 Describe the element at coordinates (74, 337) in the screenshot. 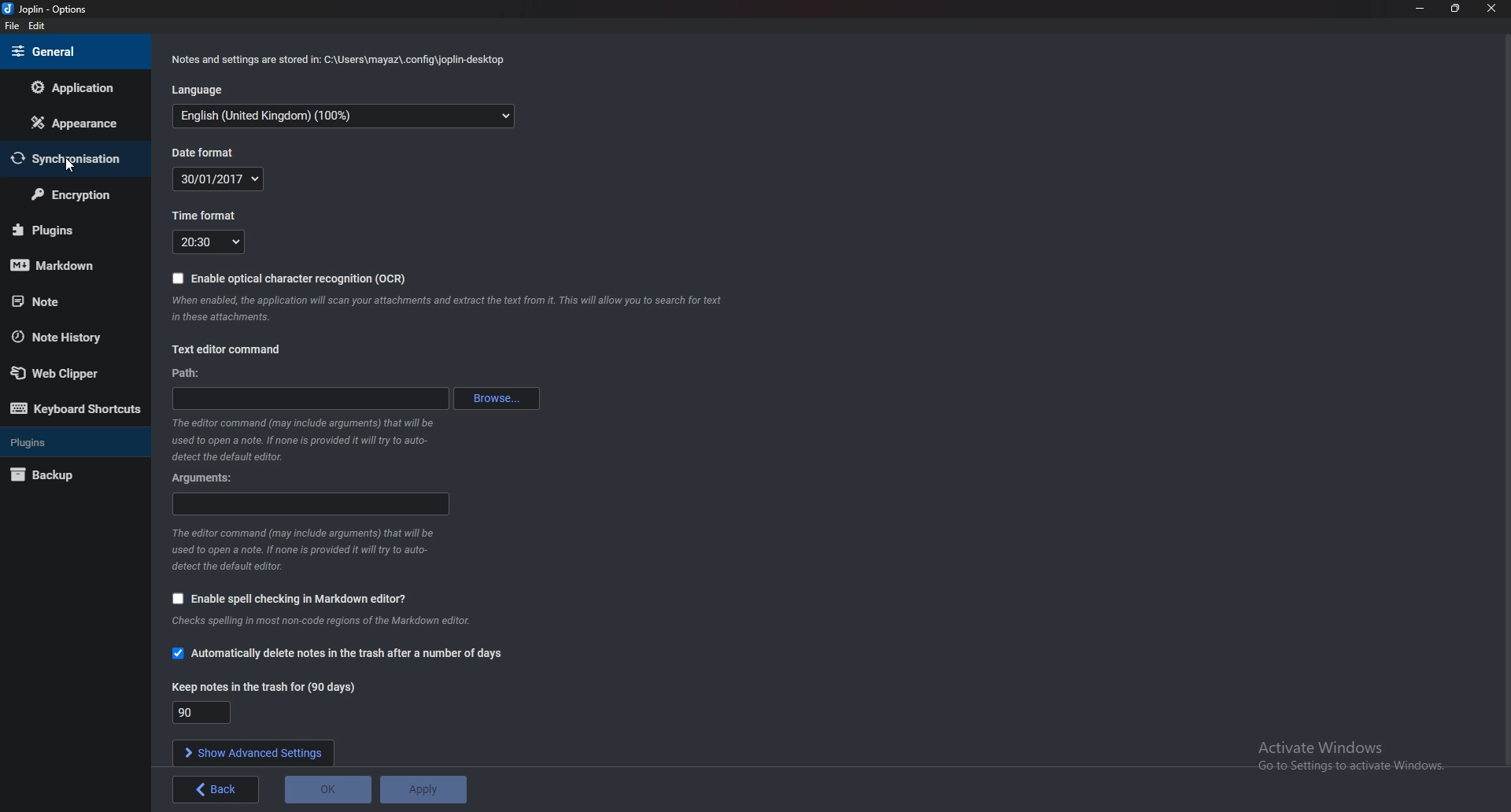

I see `Note history` at that location.